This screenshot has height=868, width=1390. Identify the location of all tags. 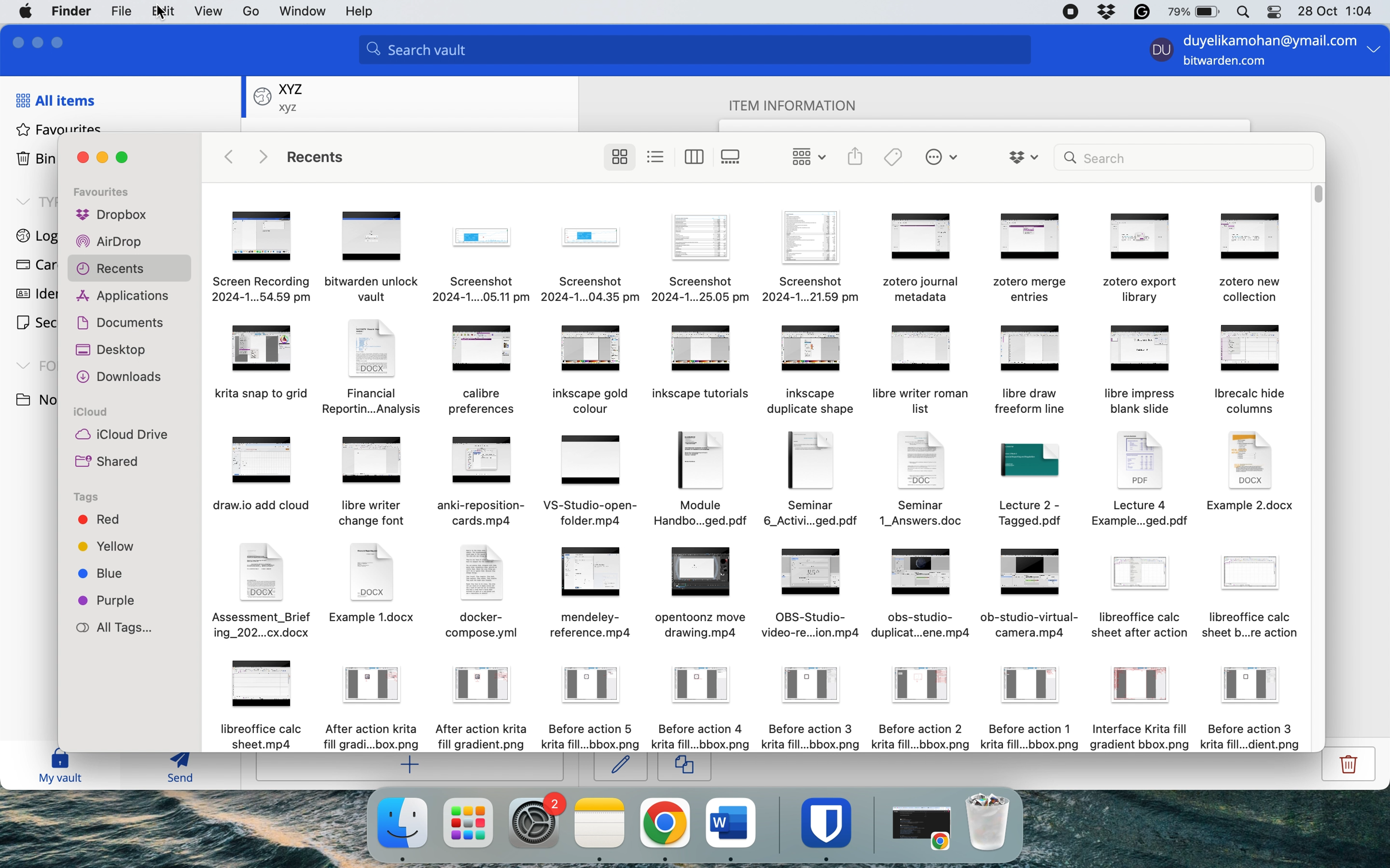
(121, 628).